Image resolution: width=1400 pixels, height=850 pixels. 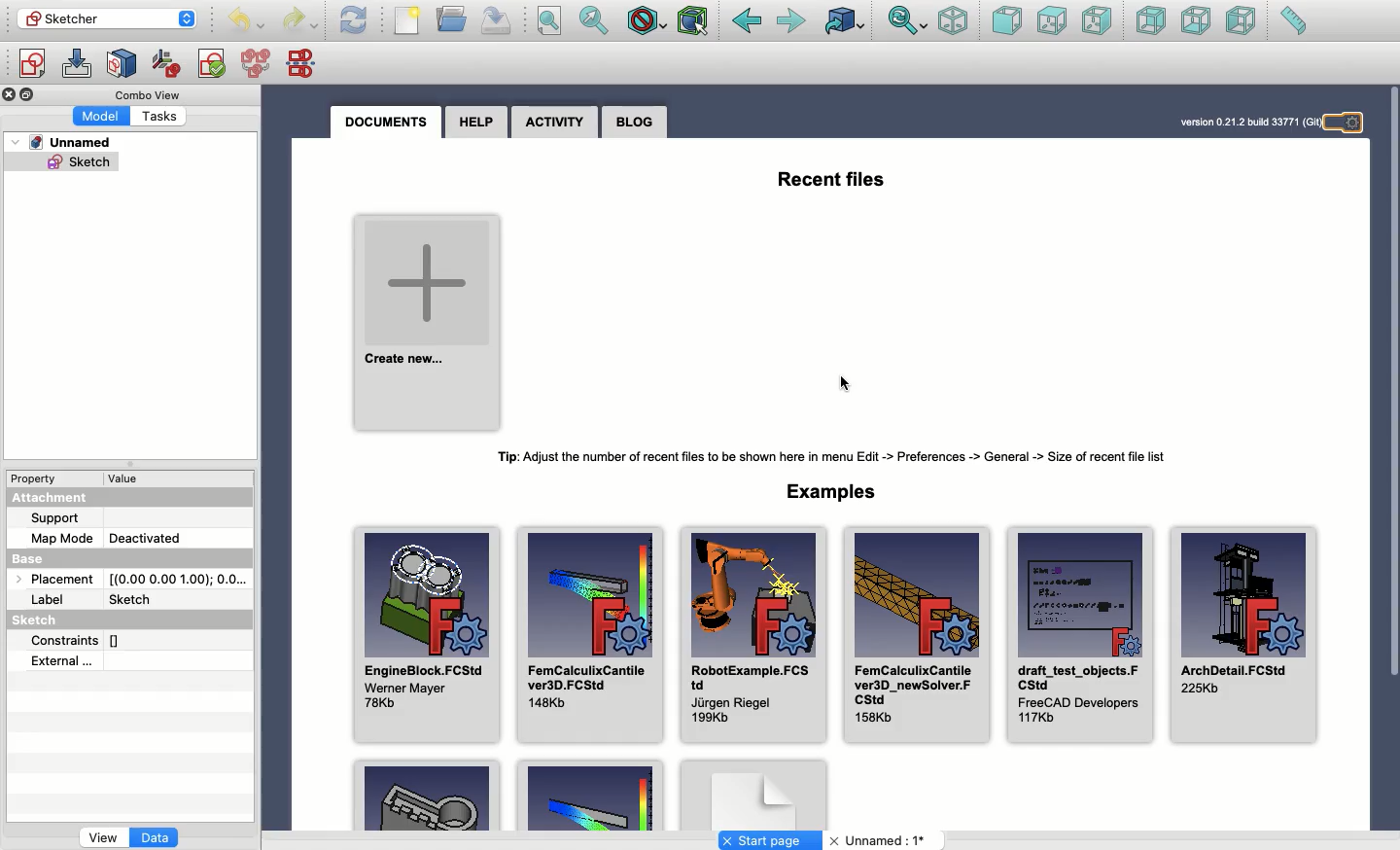 I want to click on Validate sketch, so click(x=211, y=62).